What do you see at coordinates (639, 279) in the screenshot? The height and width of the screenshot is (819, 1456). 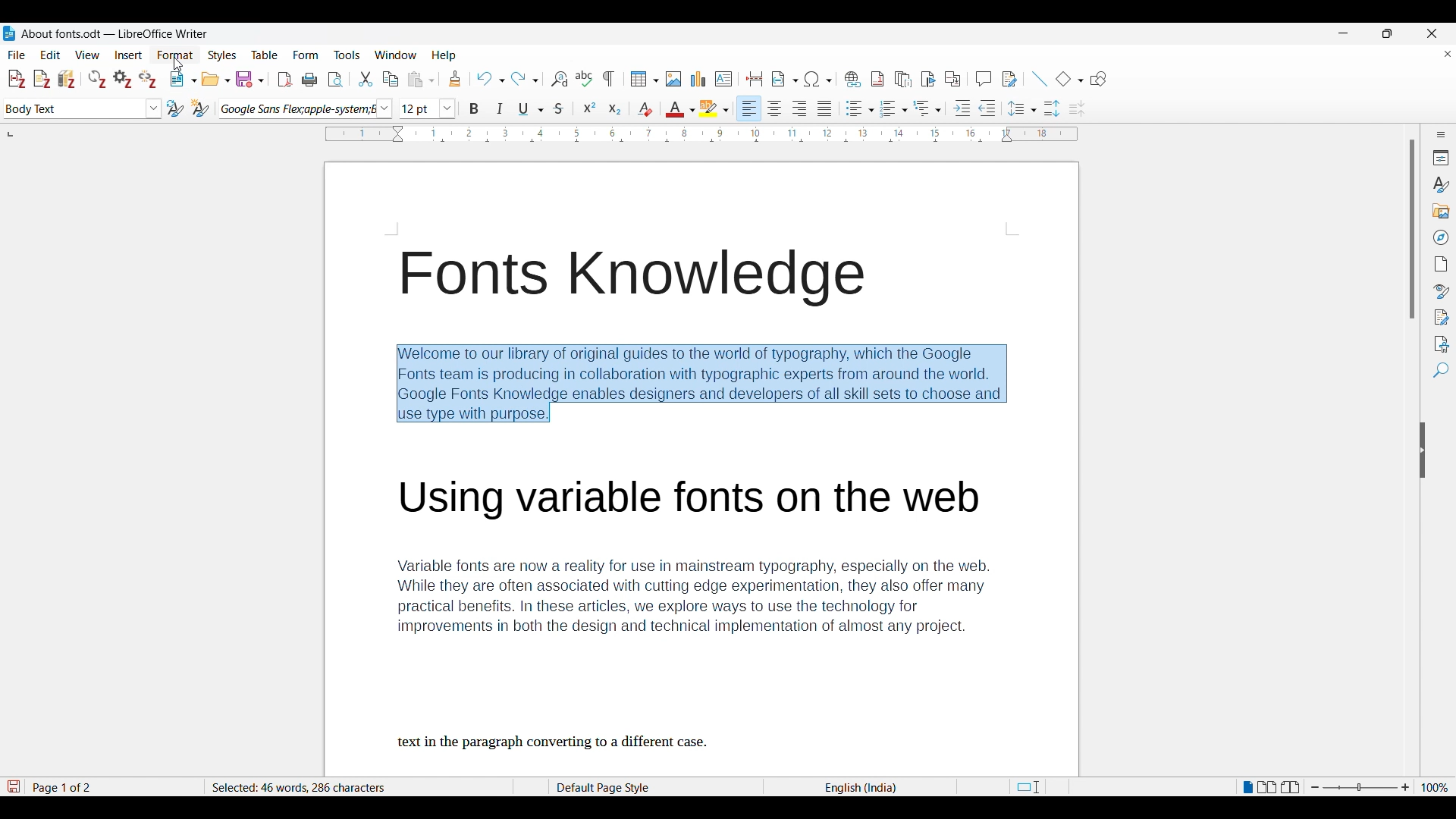 I see `Font knowledge` at bounding box center [639, 279].